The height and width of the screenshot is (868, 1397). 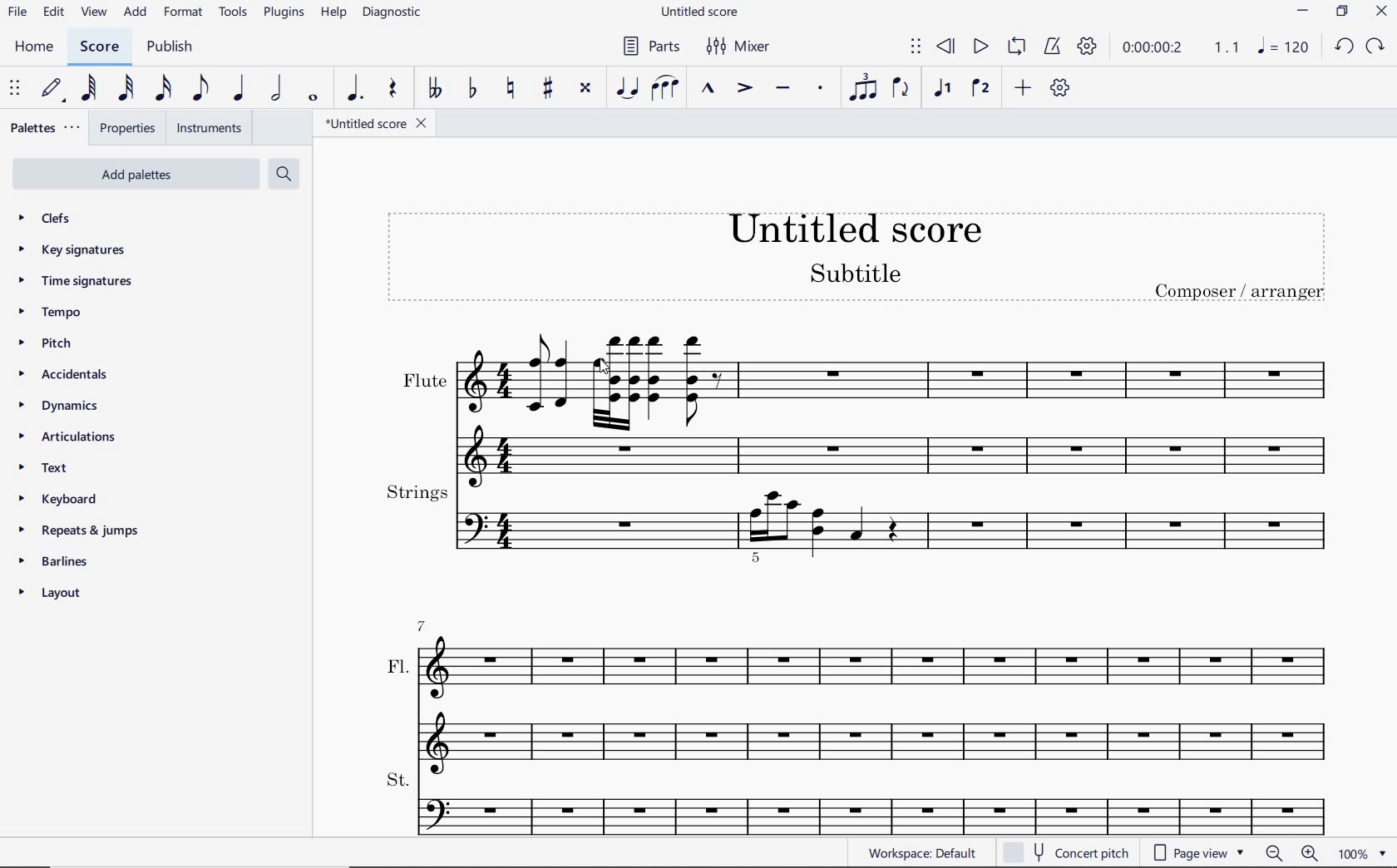 I want to click on undo, so click(x=1345, y=45).